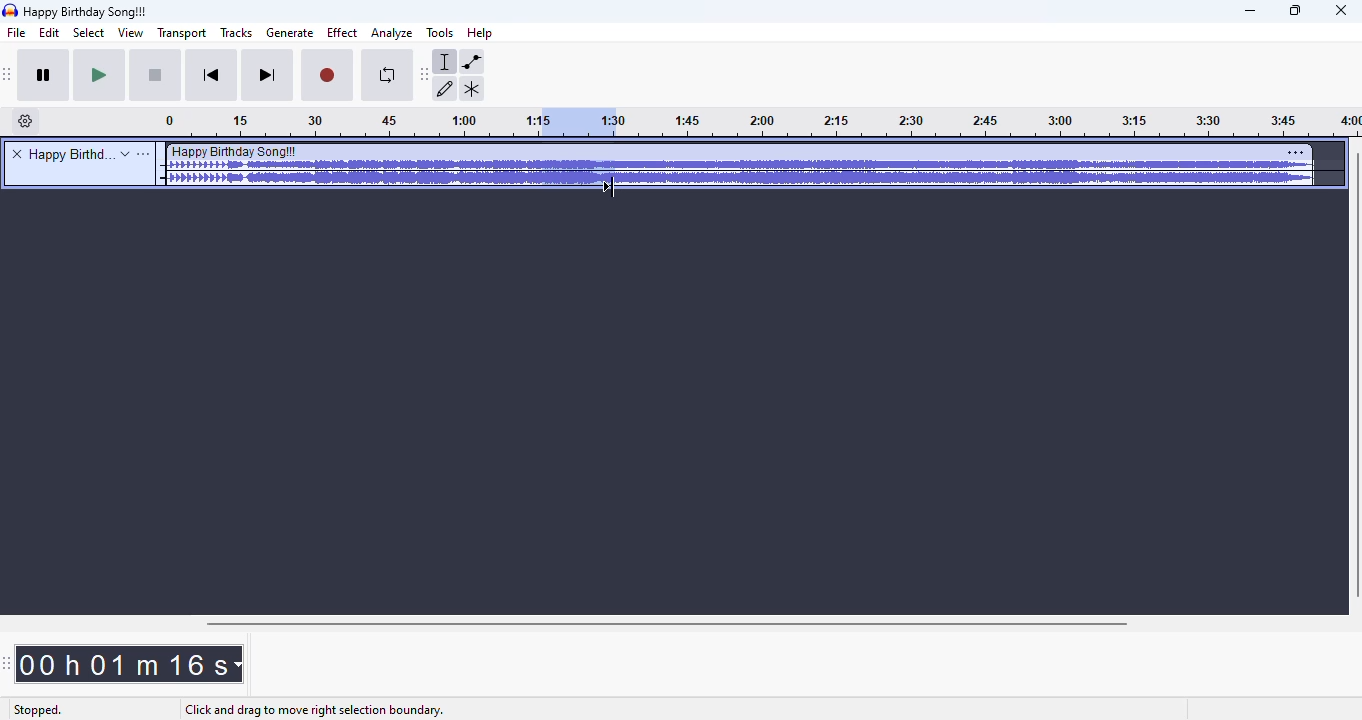  Describe the element at coordinates (392, 34) in the screenshot. I see `analyze` at that location.